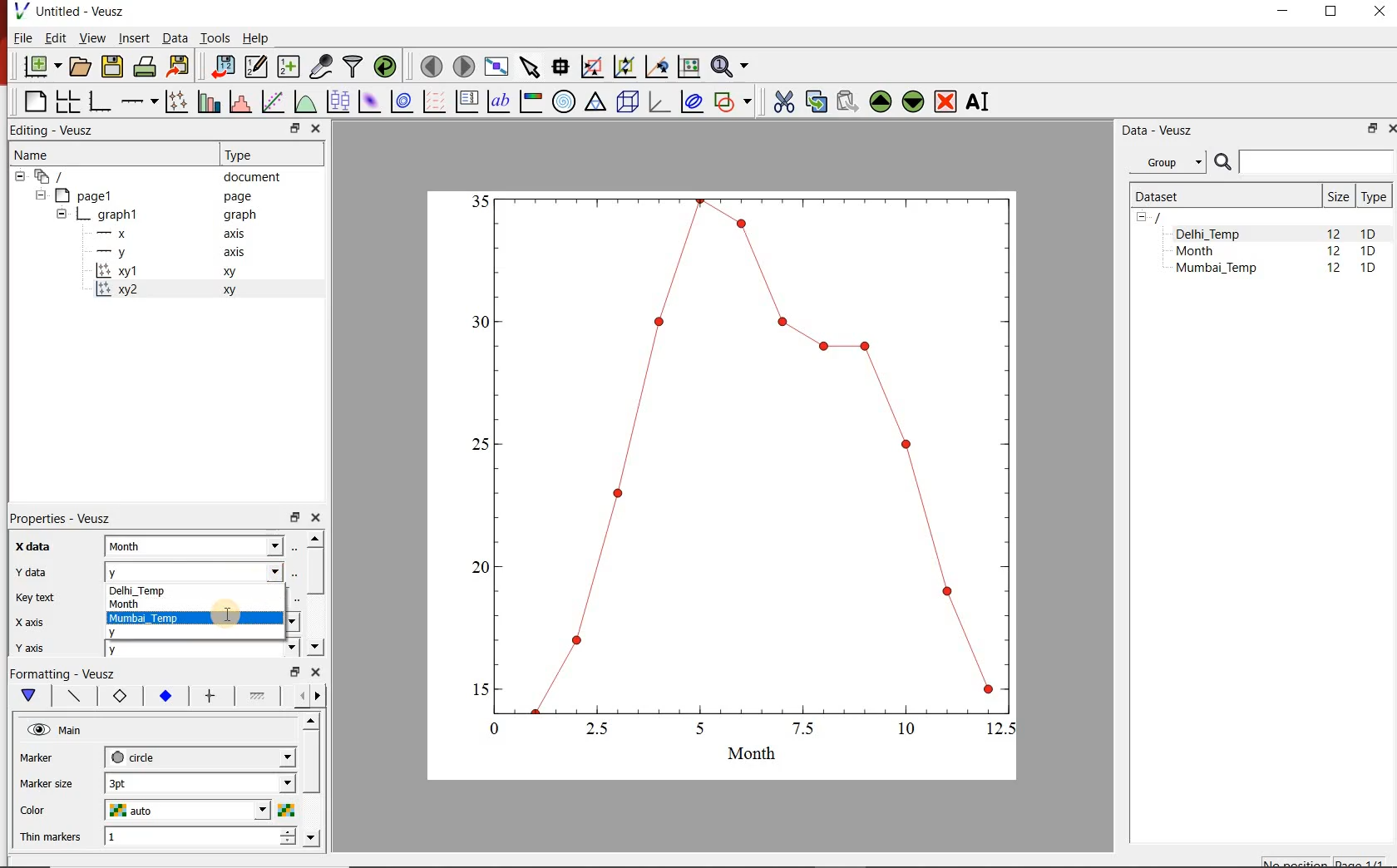  Describe the element at coordinates (592, 67) in the screenshot. I see `click or draw a rectangle to zoom graph indexes` at that location.